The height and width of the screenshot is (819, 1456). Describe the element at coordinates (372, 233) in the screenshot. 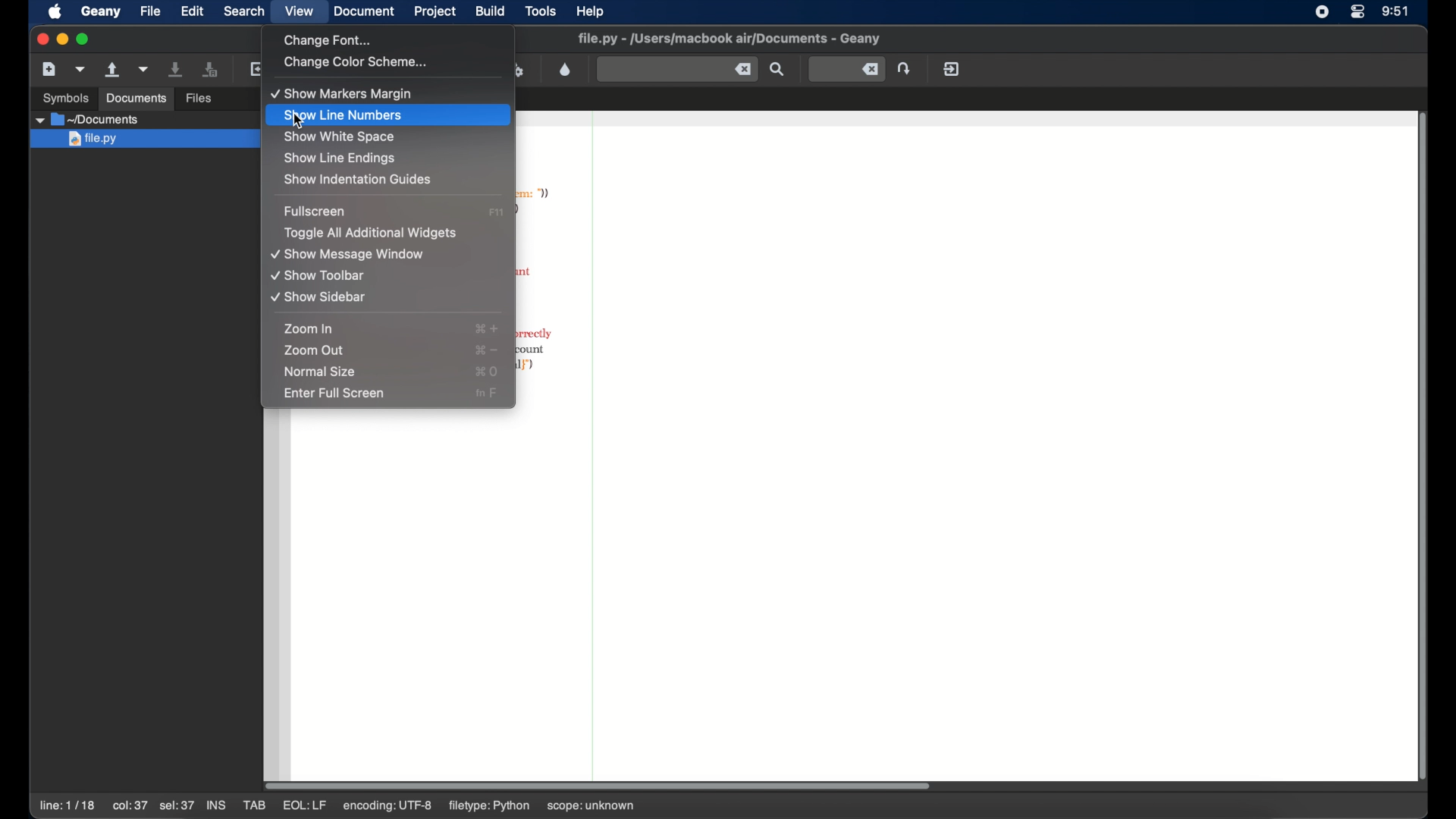

I see `toggle all additional widgets` at that location.